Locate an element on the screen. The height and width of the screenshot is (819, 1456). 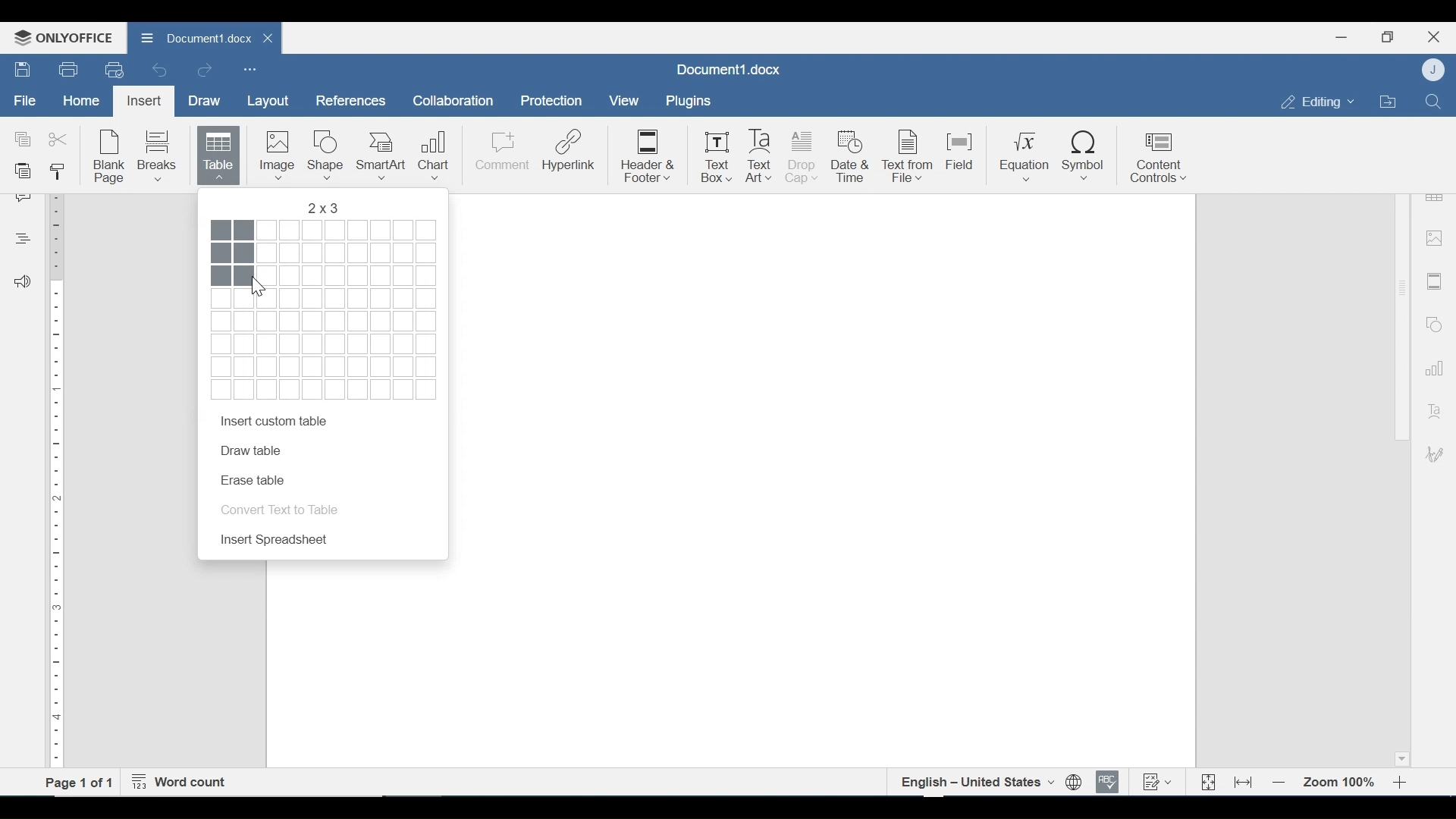
Chart is located at coordinates (435, 156).